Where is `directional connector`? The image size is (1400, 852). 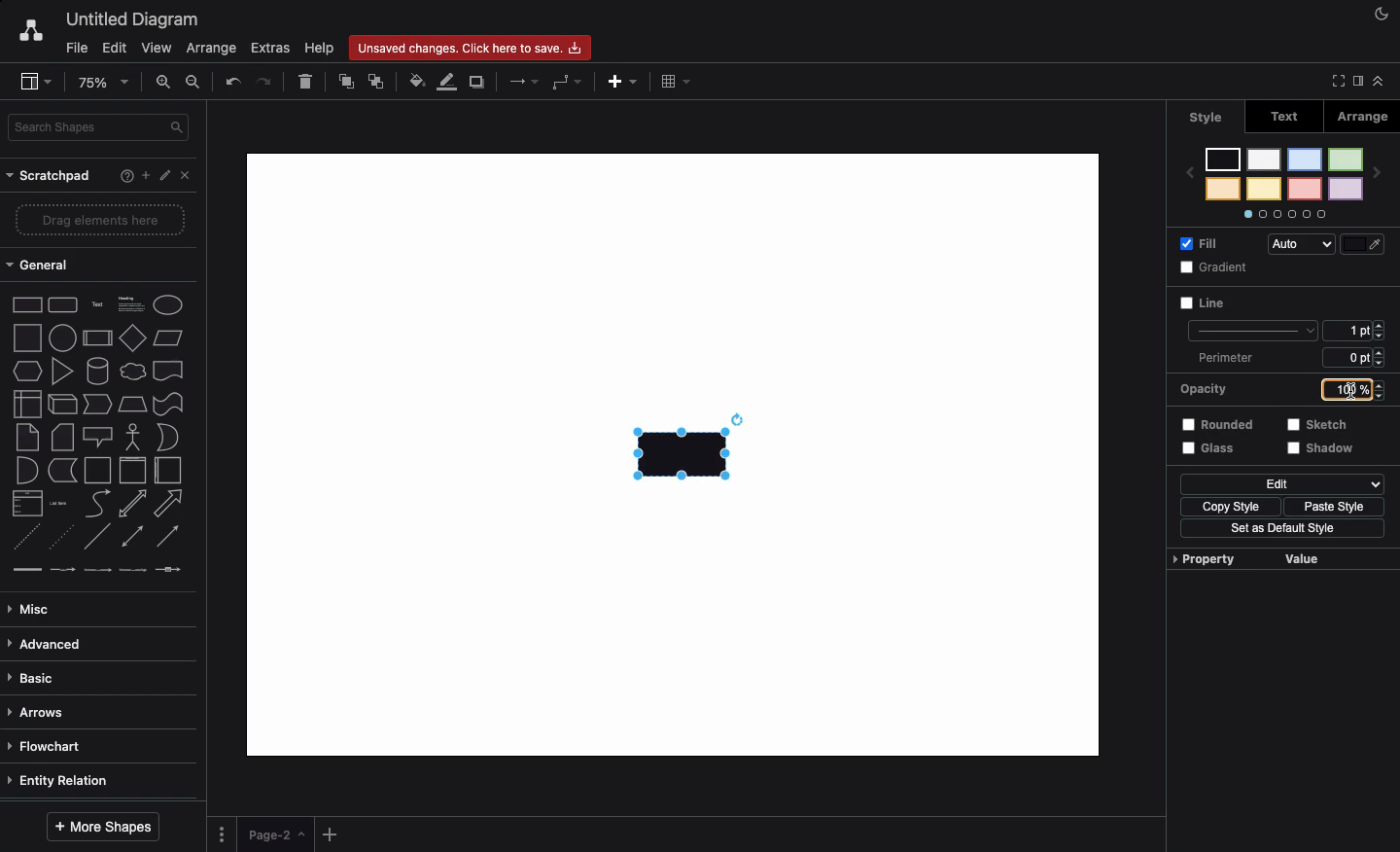 directional connector is located at coordinates (168, 535).